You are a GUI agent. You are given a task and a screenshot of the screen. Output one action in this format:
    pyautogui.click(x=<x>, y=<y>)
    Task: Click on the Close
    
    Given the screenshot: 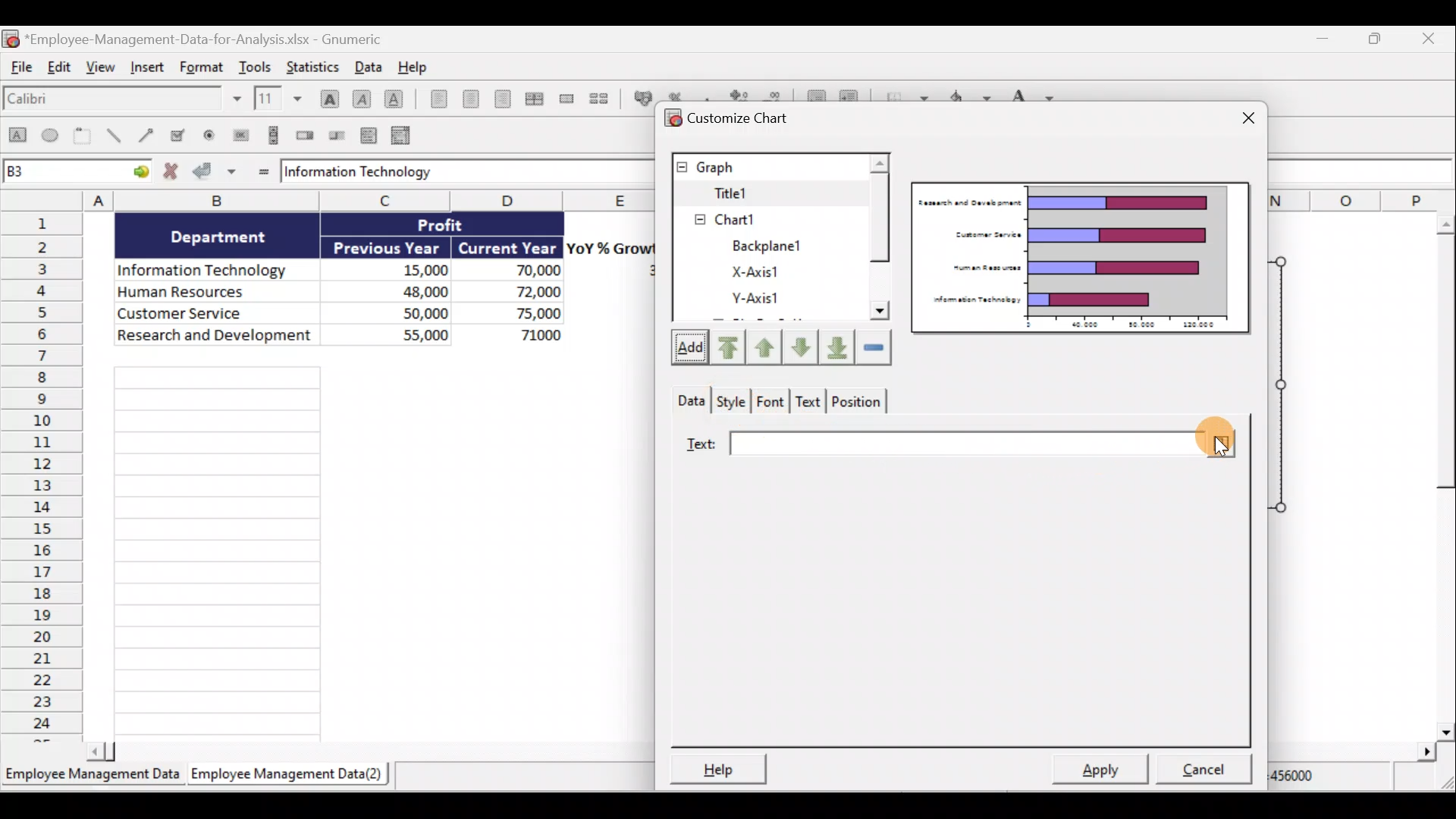 What is the action you would take?
    pyautogui.click(x=1438, y=38)
    